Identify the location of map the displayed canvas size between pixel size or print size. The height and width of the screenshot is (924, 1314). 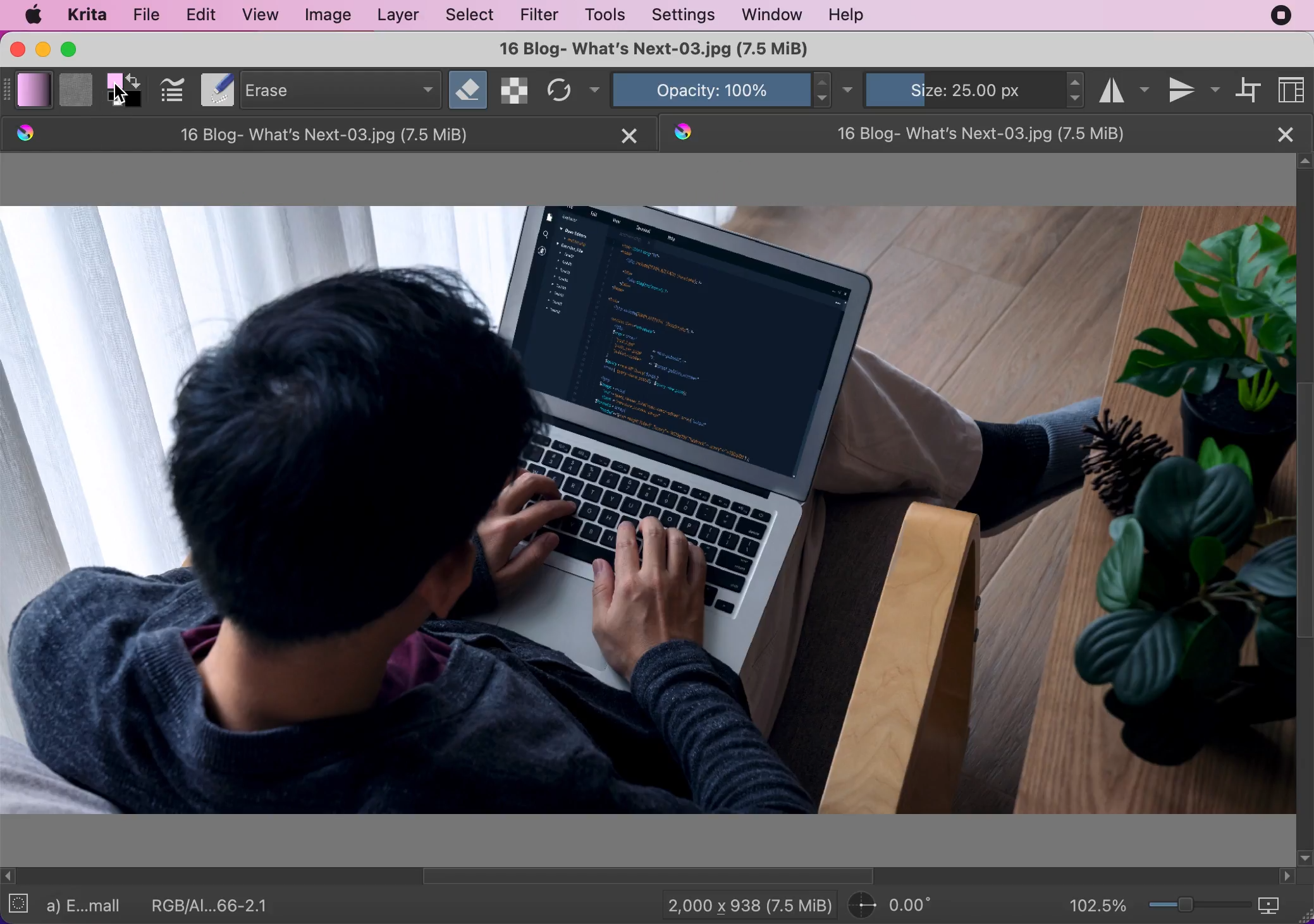
(1275, 905).